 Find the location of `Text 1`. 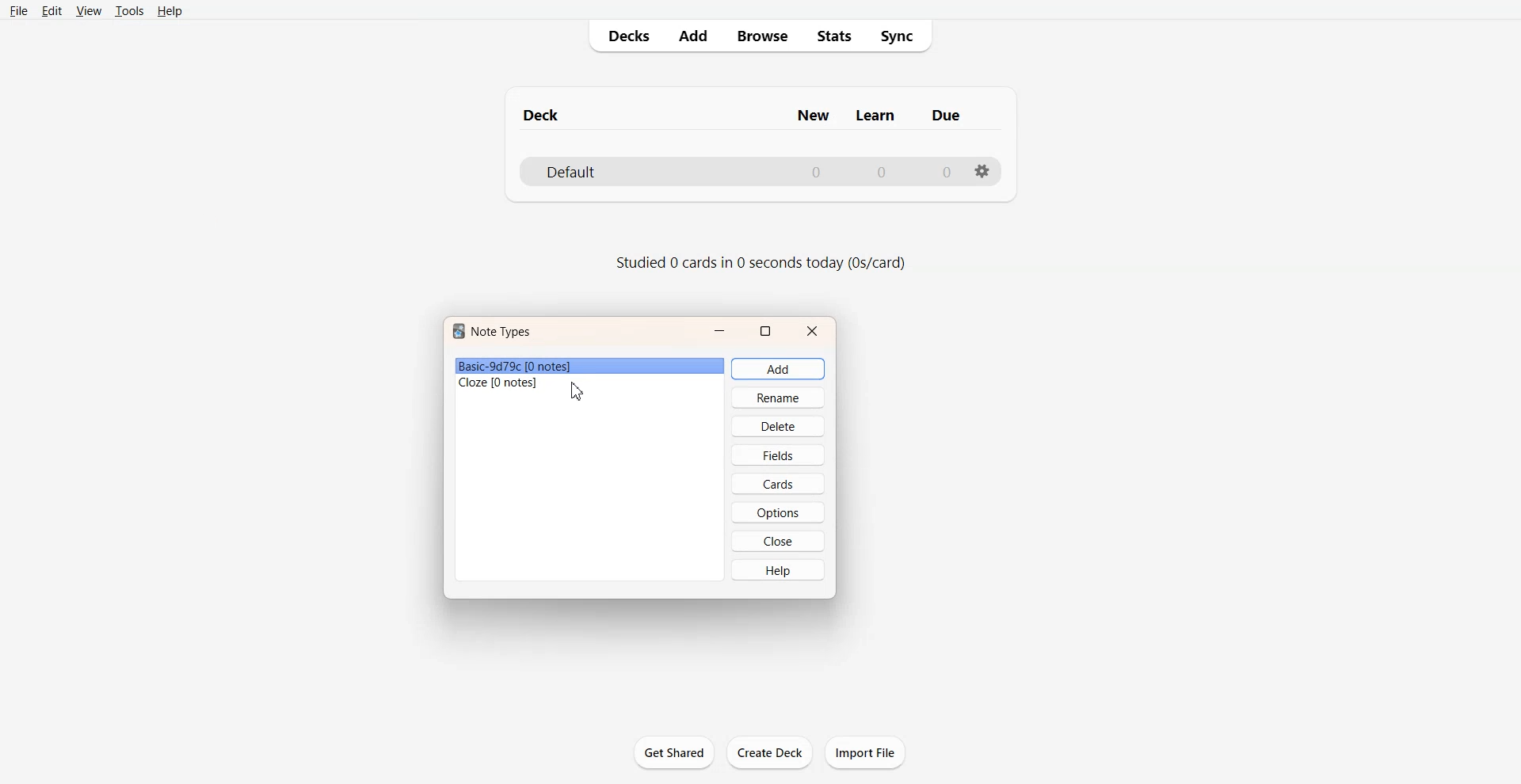

Text 1 is located at coordinates (747, 112).